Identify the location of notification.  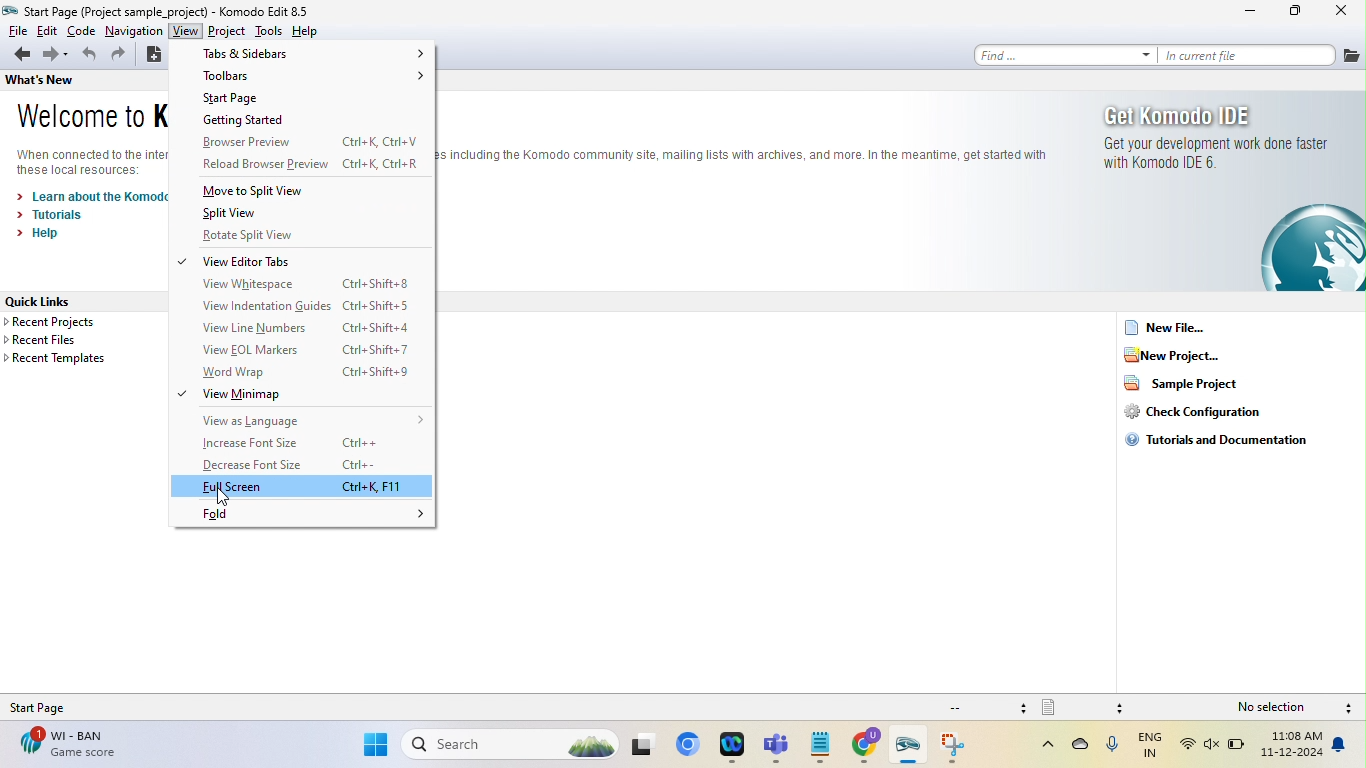
(1343, 746).